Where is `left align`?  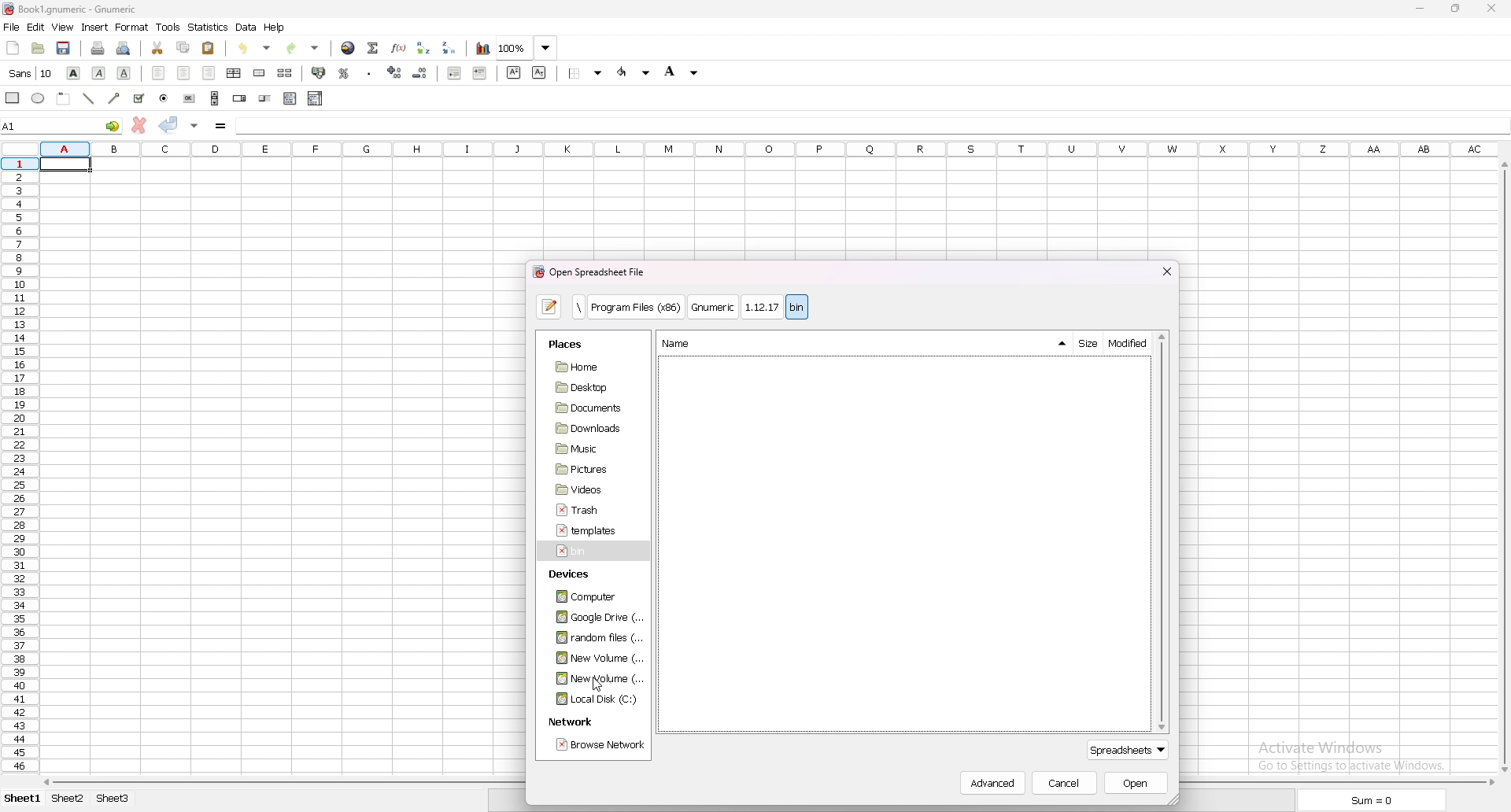 left align is located at coordinates (159, 73).